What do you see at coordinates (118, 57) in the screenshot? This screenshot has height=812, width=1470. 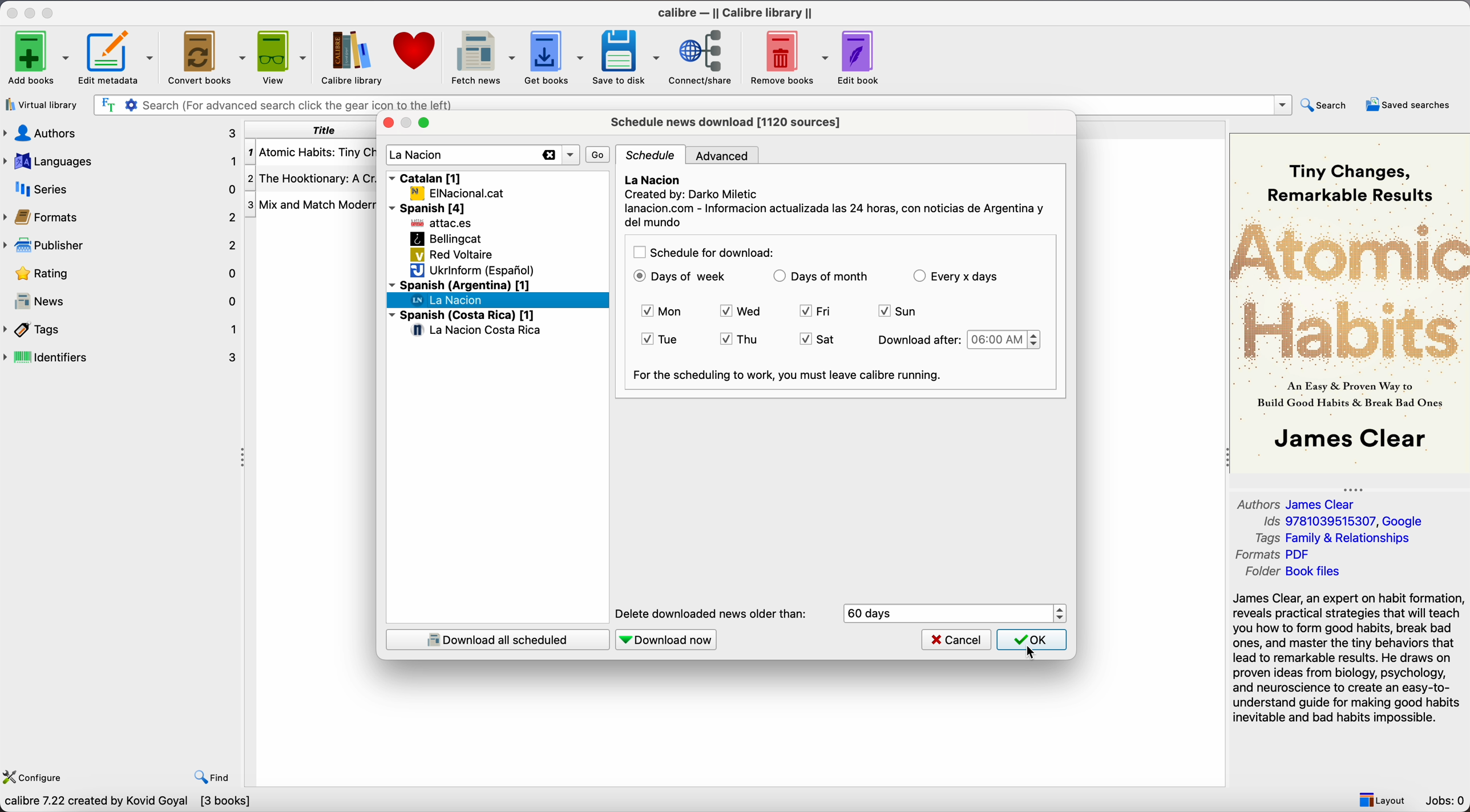 I see `Edit metadata` at bounding box center [118, 57].